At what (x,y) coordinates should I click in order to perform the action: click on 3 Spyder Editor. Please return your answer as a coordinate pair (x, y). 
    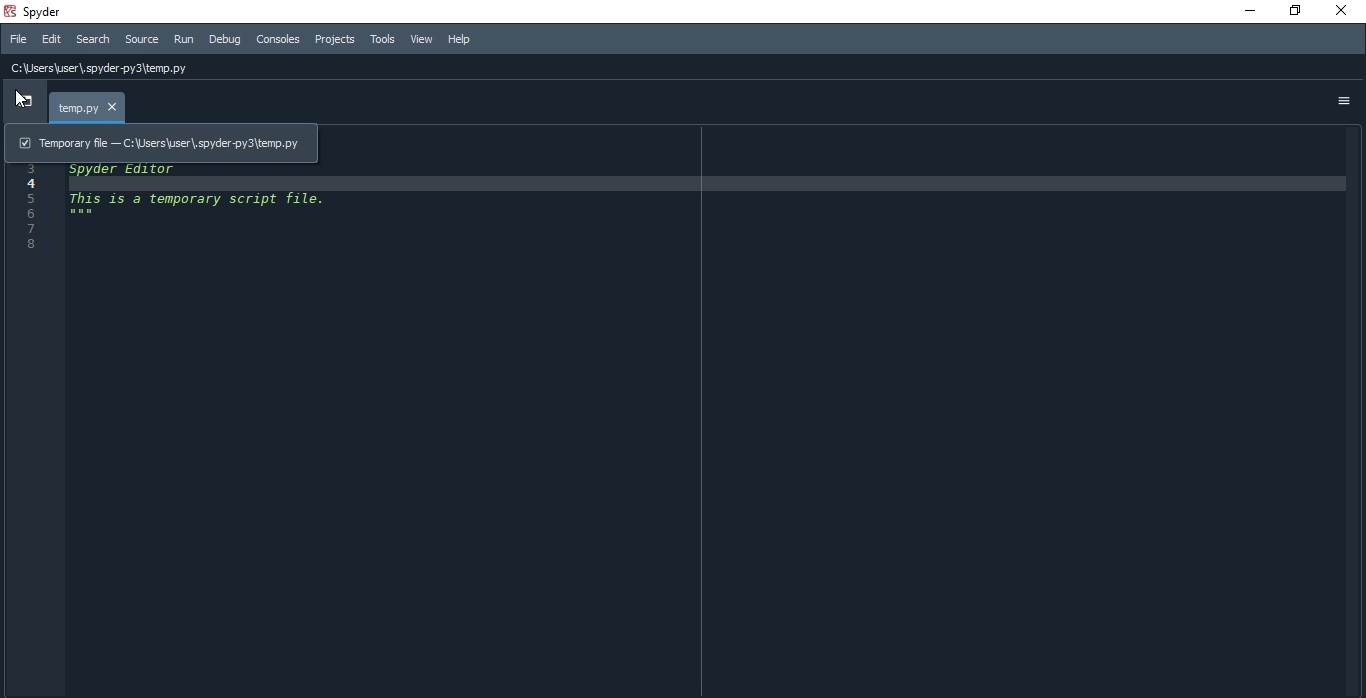
    Looking at the image, I should click on (111, 169).